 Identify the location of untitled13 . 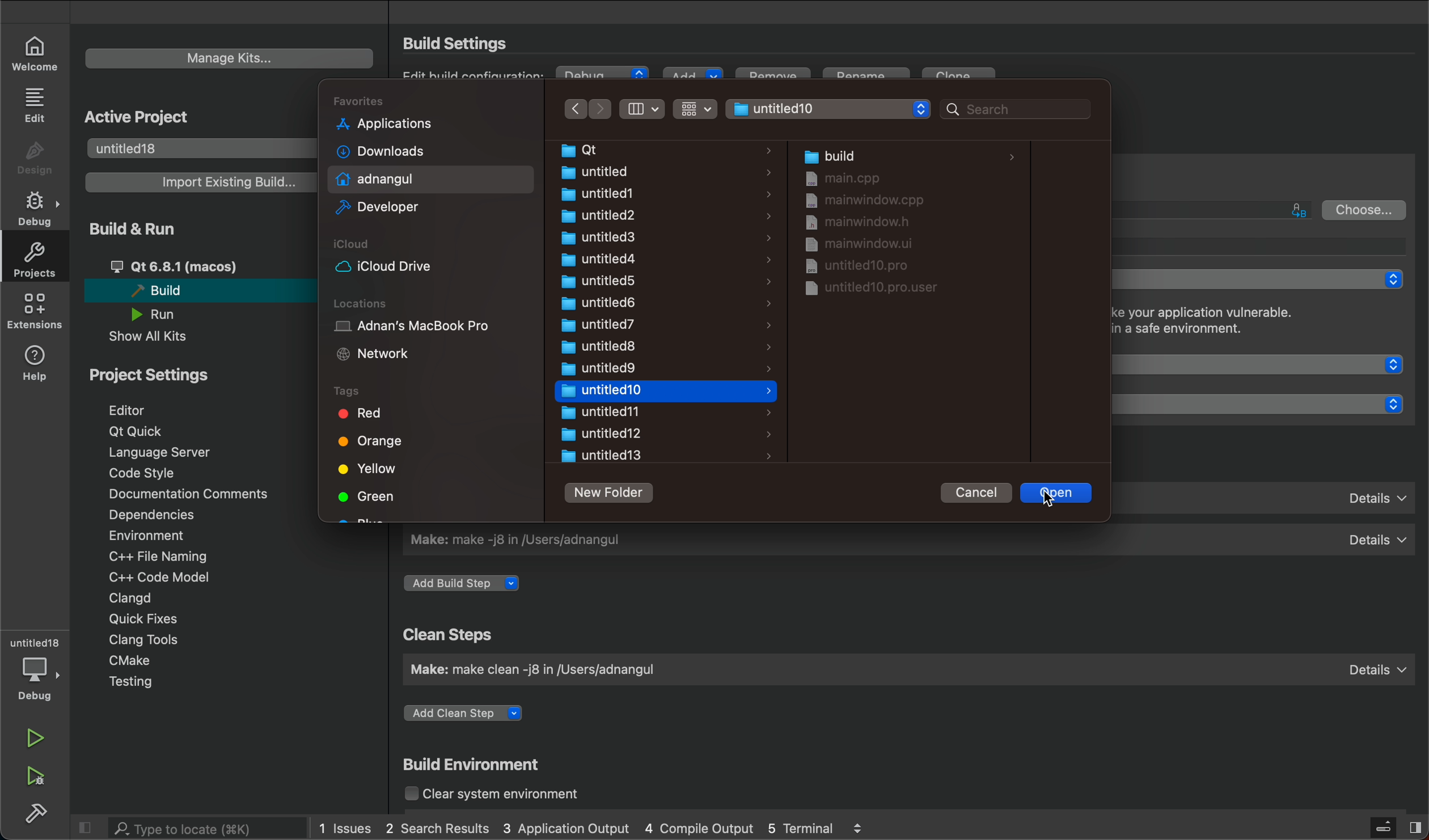
(665, 457).